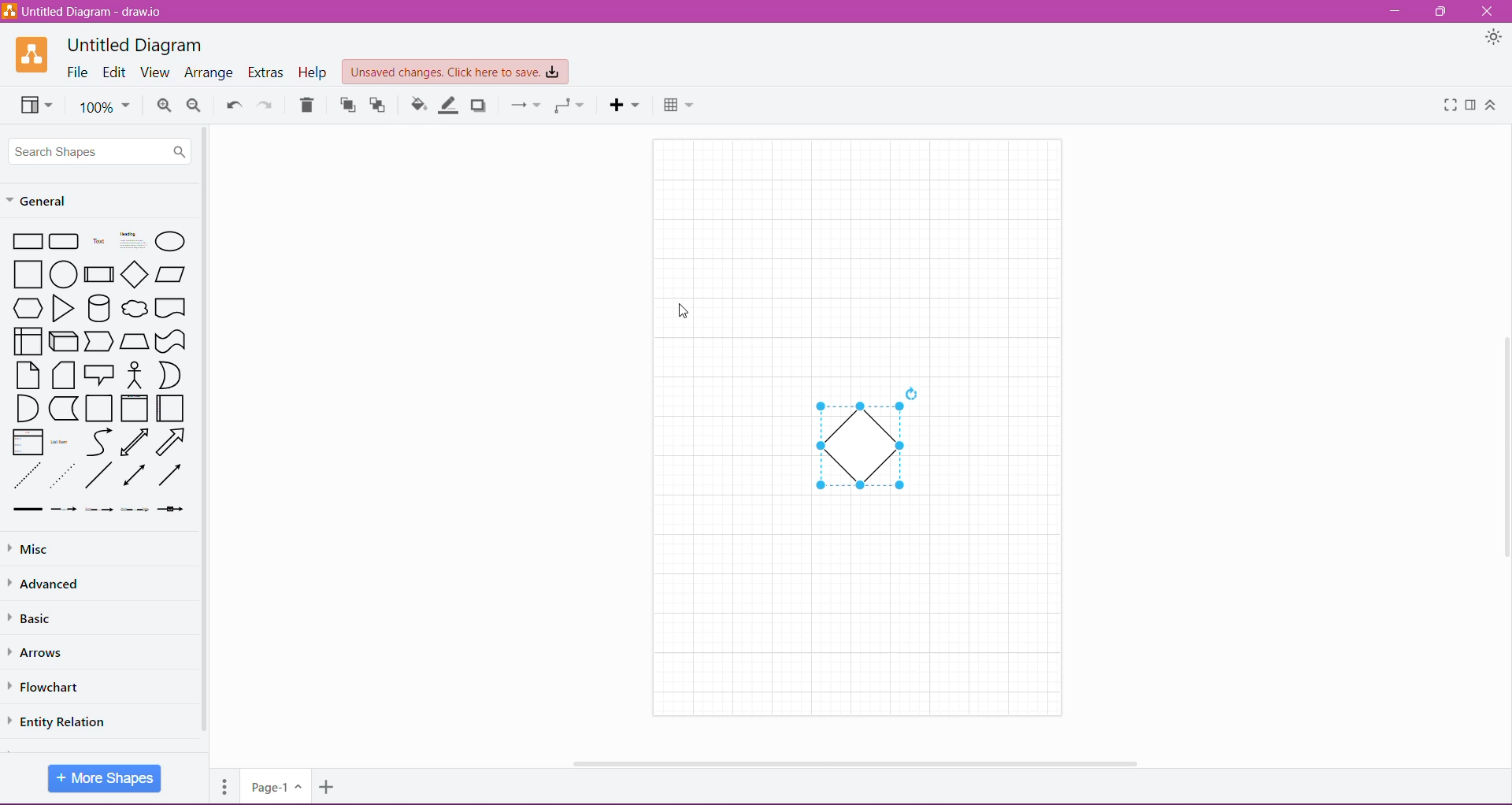 The height and width of the screenshot is (805, 1512). I want to click on Appearance, so click(1494, 38).